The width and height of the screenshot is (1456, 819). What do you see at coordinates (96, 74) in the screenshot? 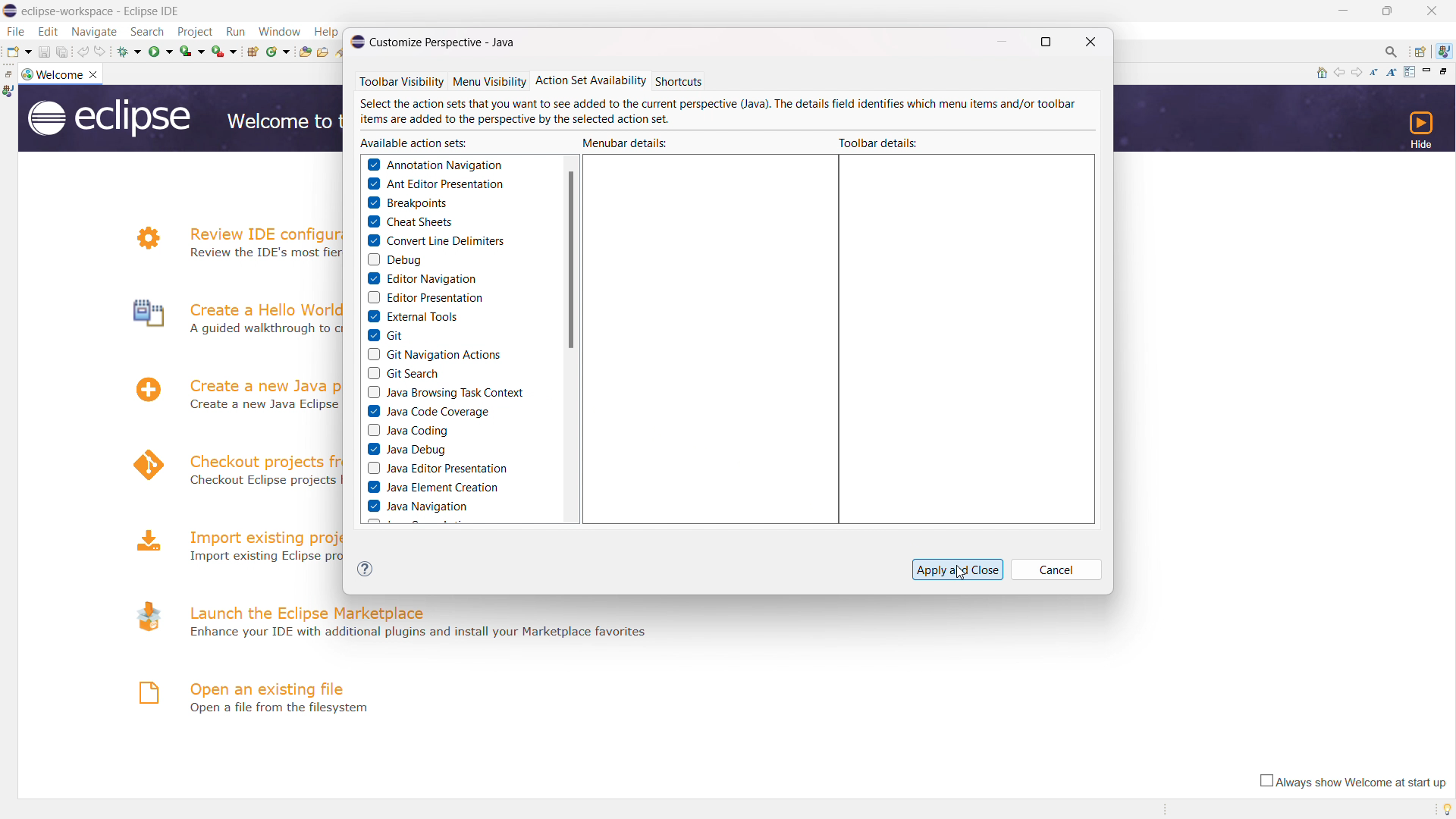
I see `close` at bounding box center [96, 74].